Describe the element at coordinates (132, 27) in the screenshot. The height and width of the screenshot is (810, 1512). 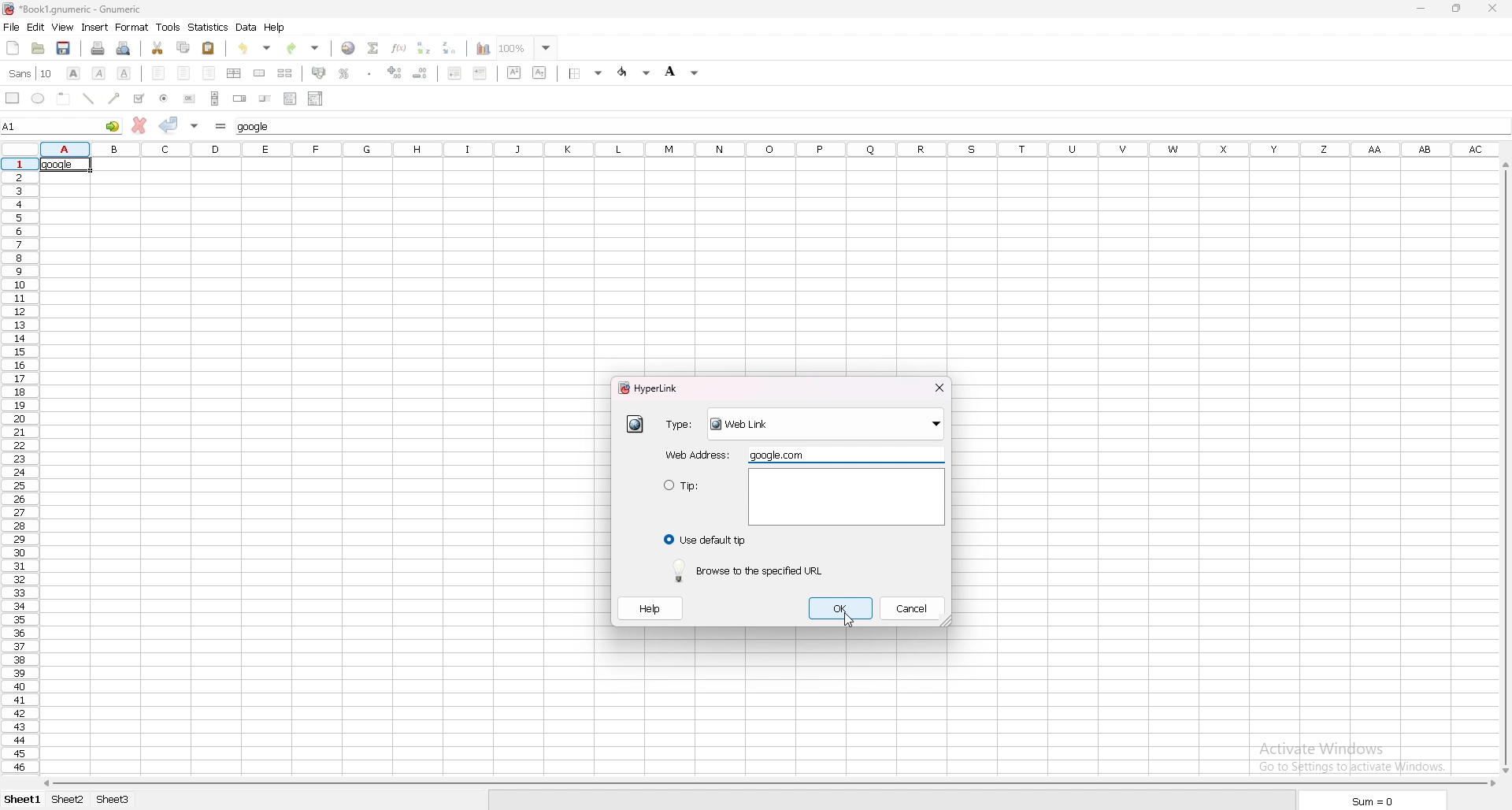
I see `format` at that location.